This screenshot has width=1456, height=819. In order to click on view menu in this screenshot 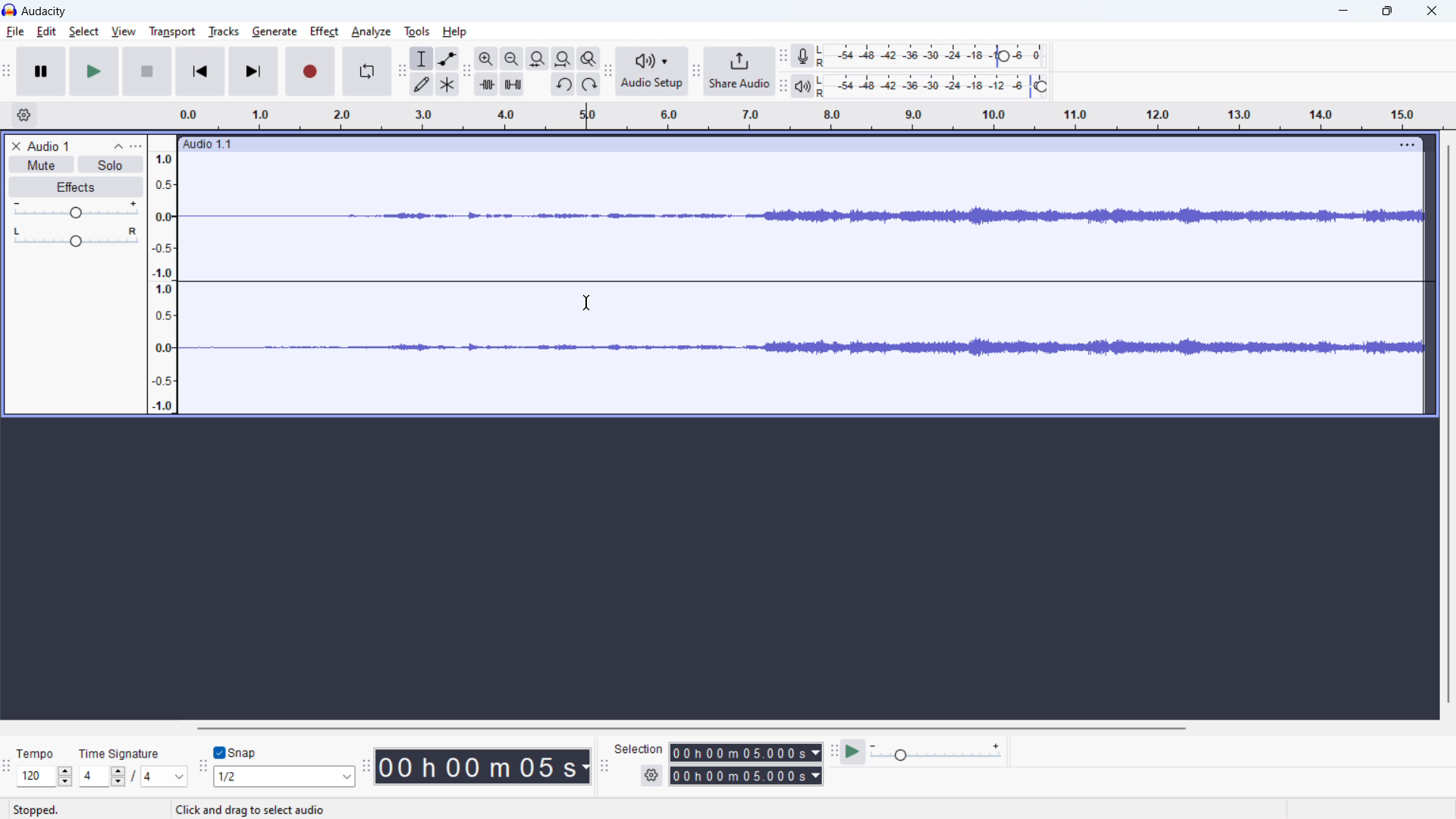, I will do `click(1407, 144)`.